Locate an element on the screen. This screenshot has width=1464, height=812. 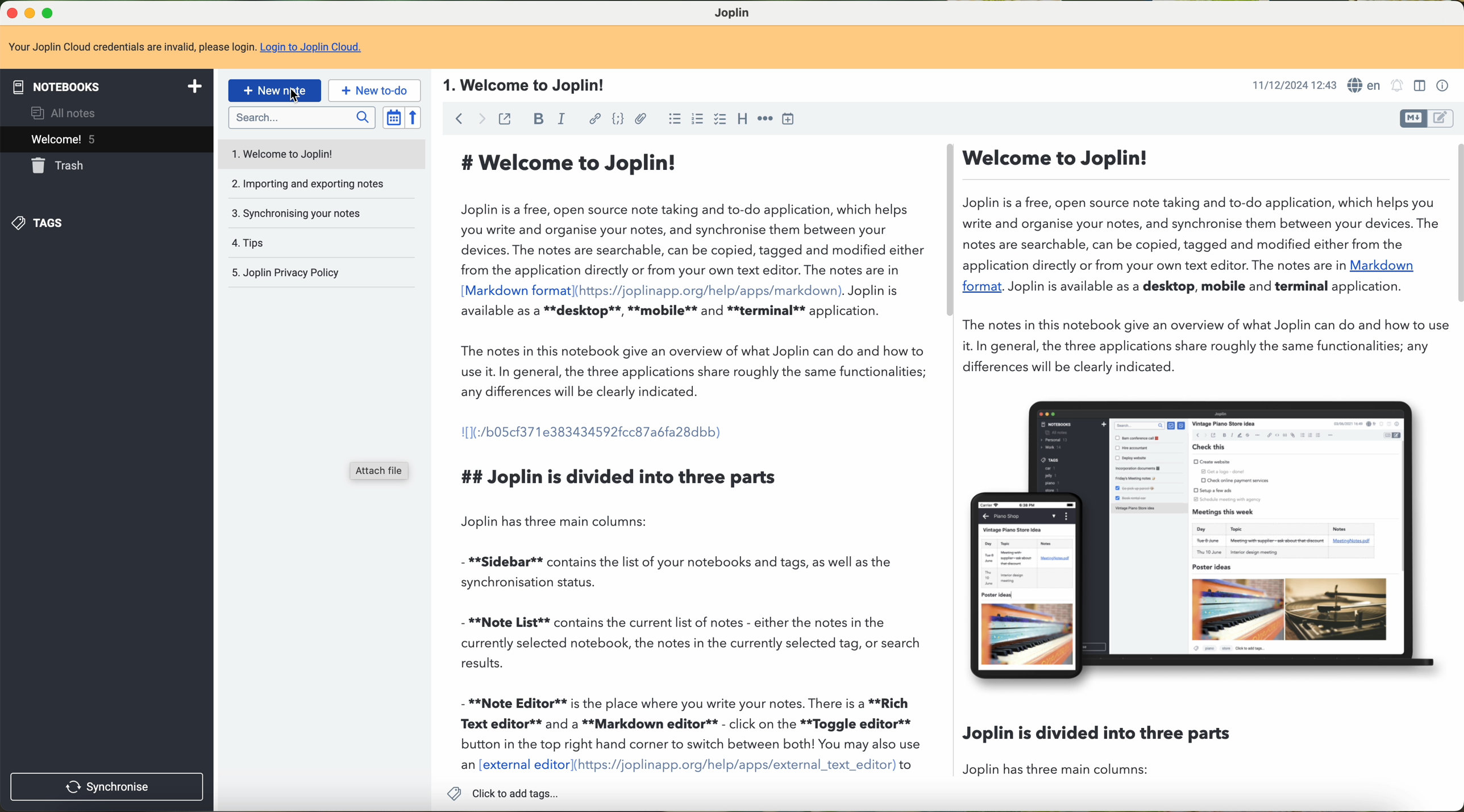
Joplin privacy policy is located at coordinates (284, 274).